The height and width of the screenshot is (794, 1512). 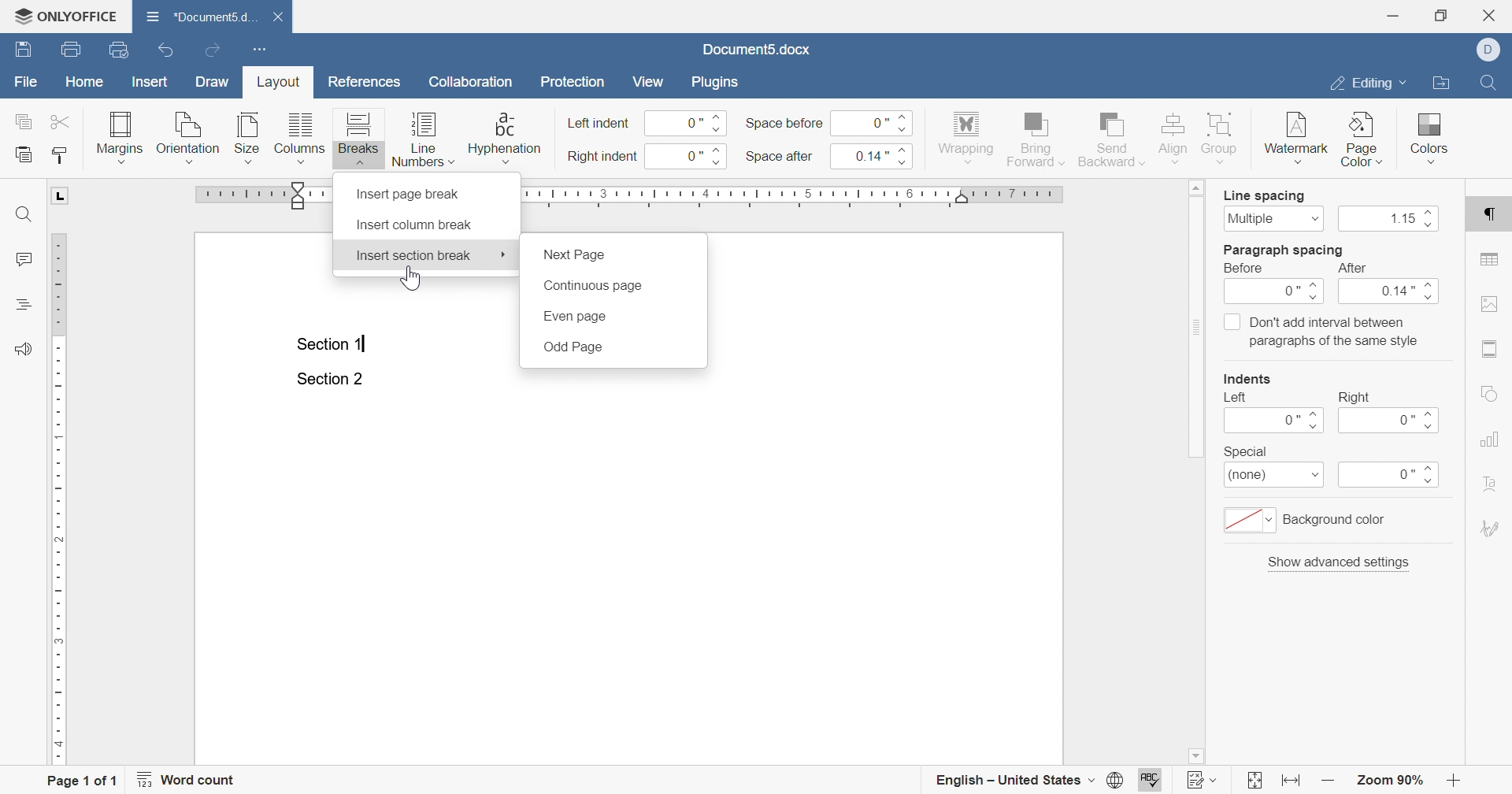 I want to click on customize quick access toolbar, so click(x=262, y=50).